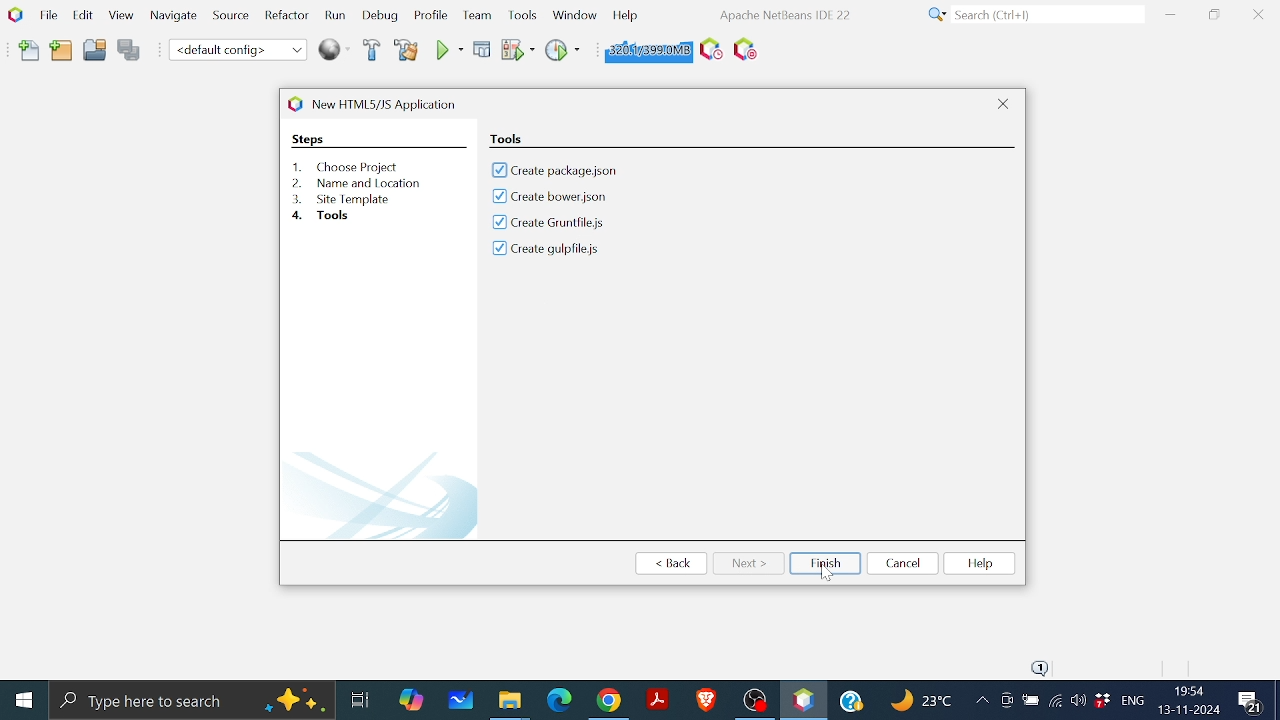  What do you see at coordinates (557, 700) in the screenshot?
I see `Microsoft edge` at bounding box center [557, 700].